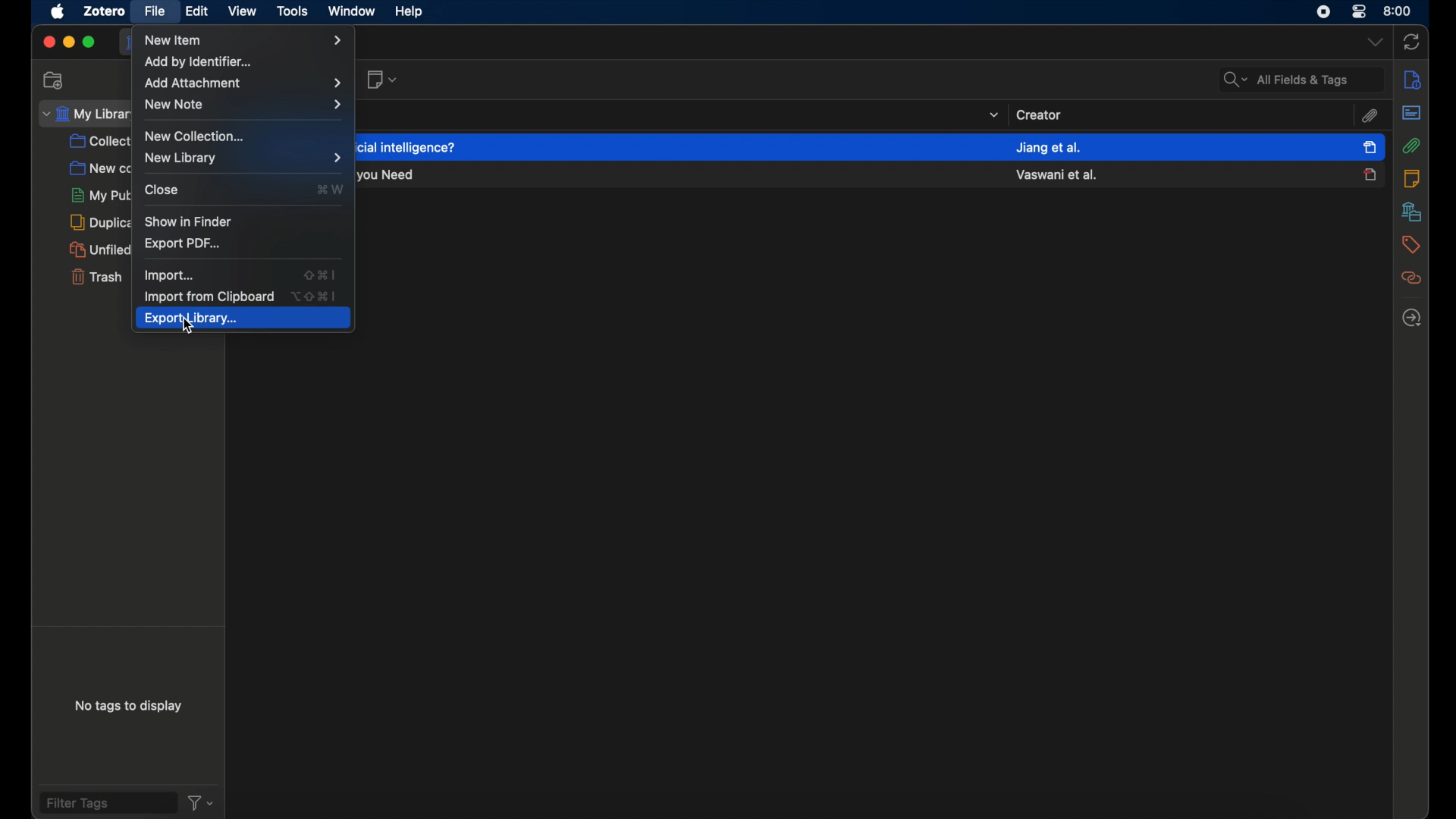 This screenshot has width=1456, height=819. What do you see at coordinates (155, 12) in the screenshot?
I see `file menu selected` at bounding box center [155, 12].